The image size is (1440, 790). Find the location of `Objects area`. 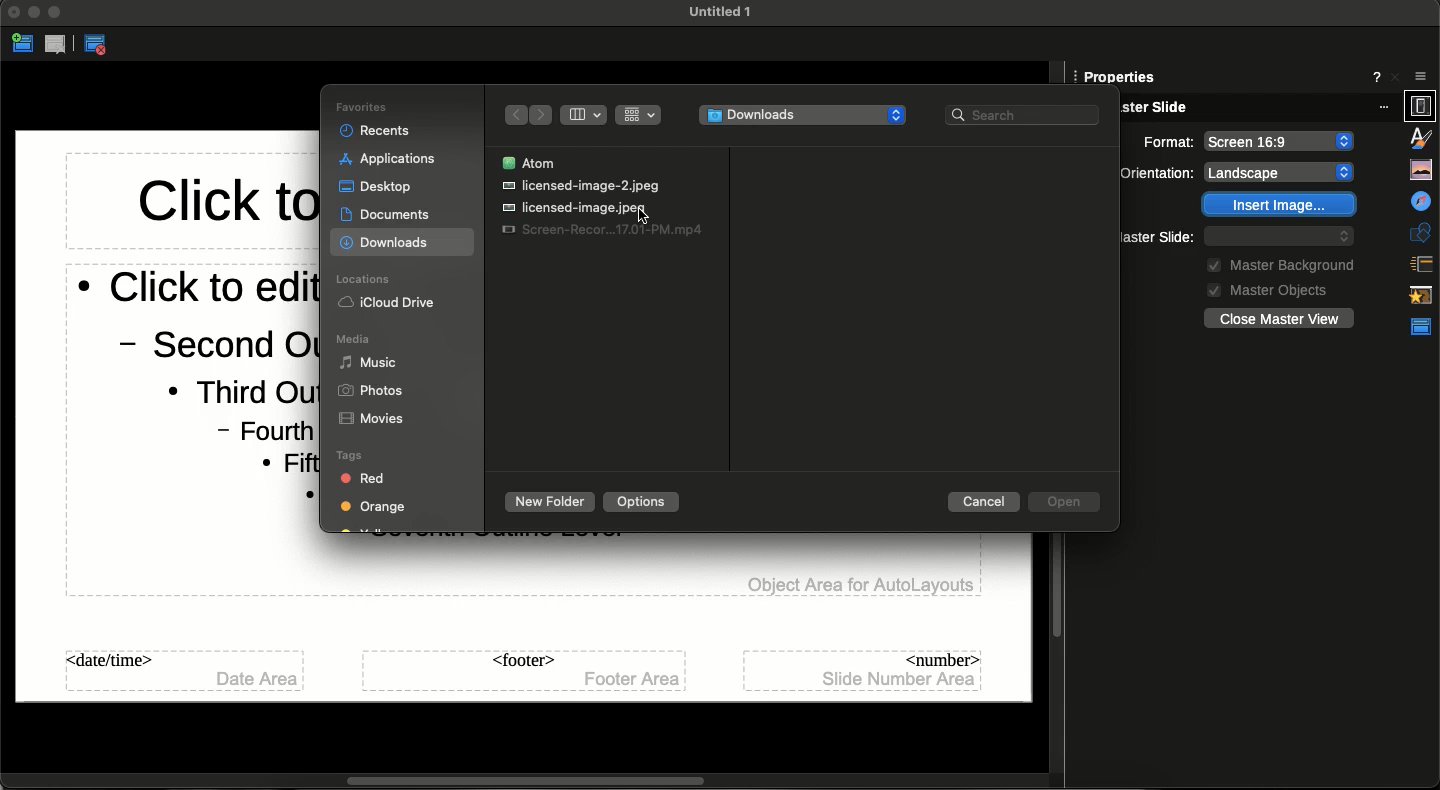

Objects area is located at coordinates (845, 585).